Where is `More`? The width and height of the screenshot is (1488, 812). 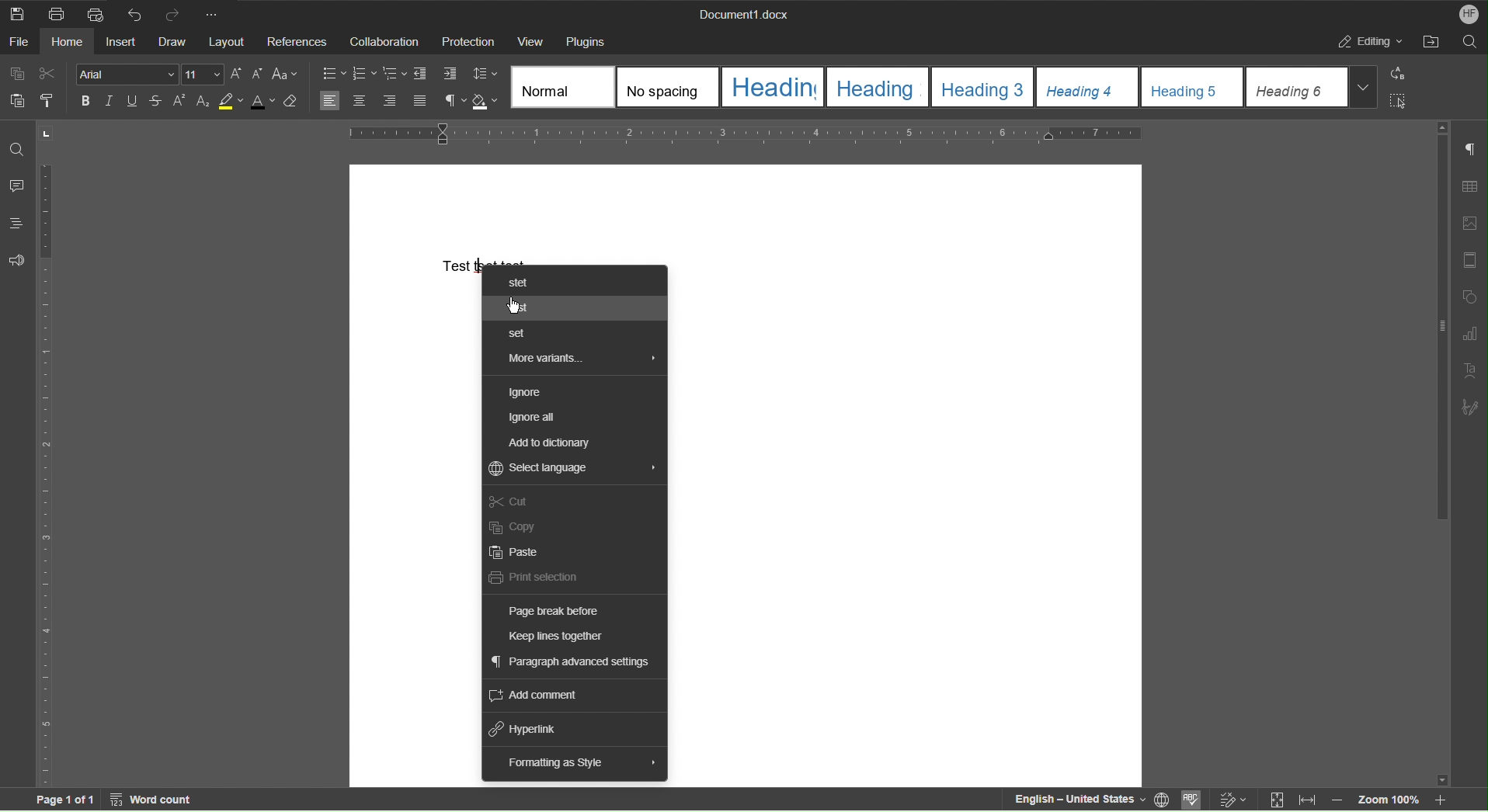
More is located at coordinates (214, 12).